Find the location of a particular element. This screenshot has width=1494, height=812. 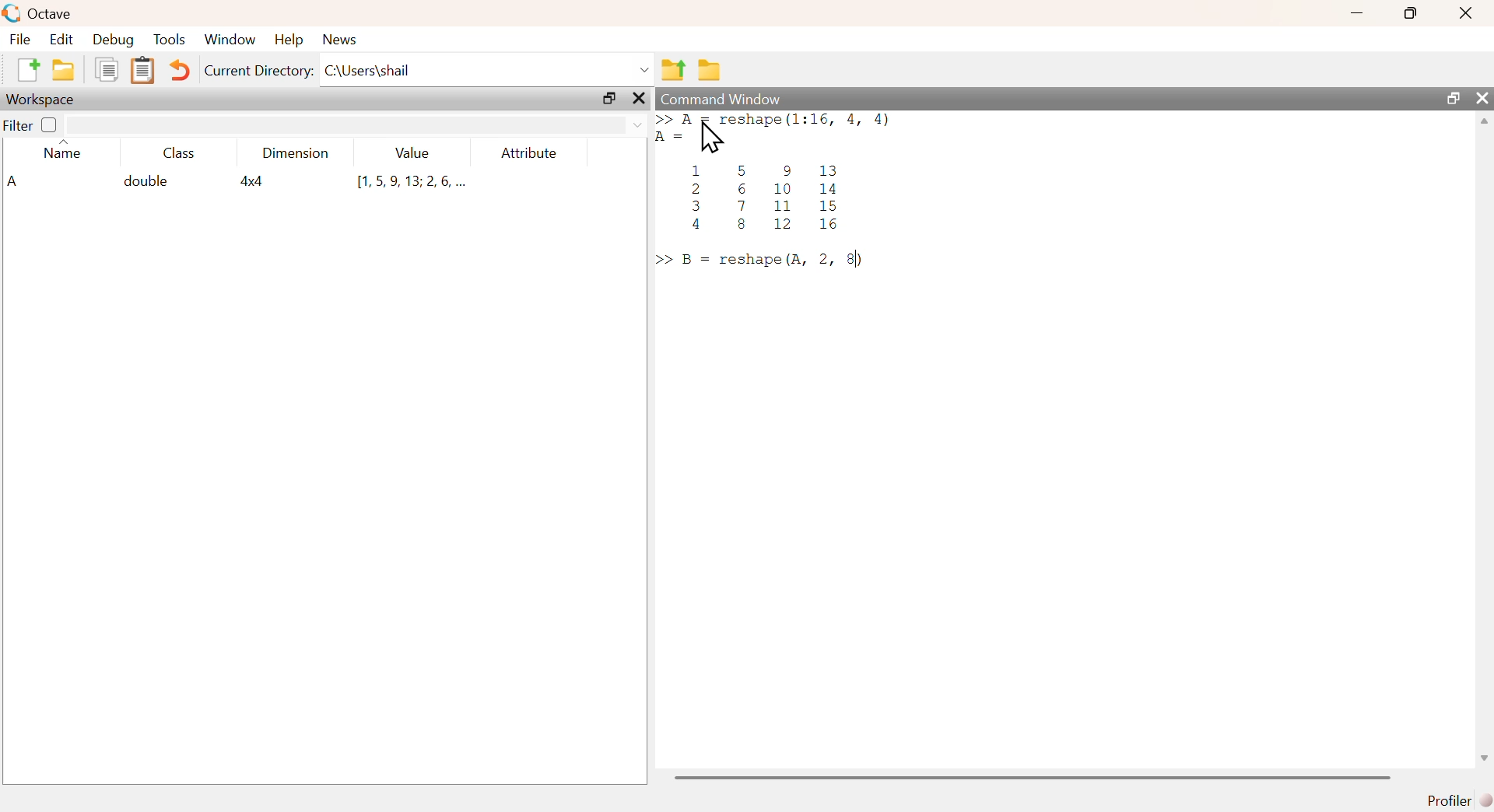

profiler is located at coordinates (1455, 800).